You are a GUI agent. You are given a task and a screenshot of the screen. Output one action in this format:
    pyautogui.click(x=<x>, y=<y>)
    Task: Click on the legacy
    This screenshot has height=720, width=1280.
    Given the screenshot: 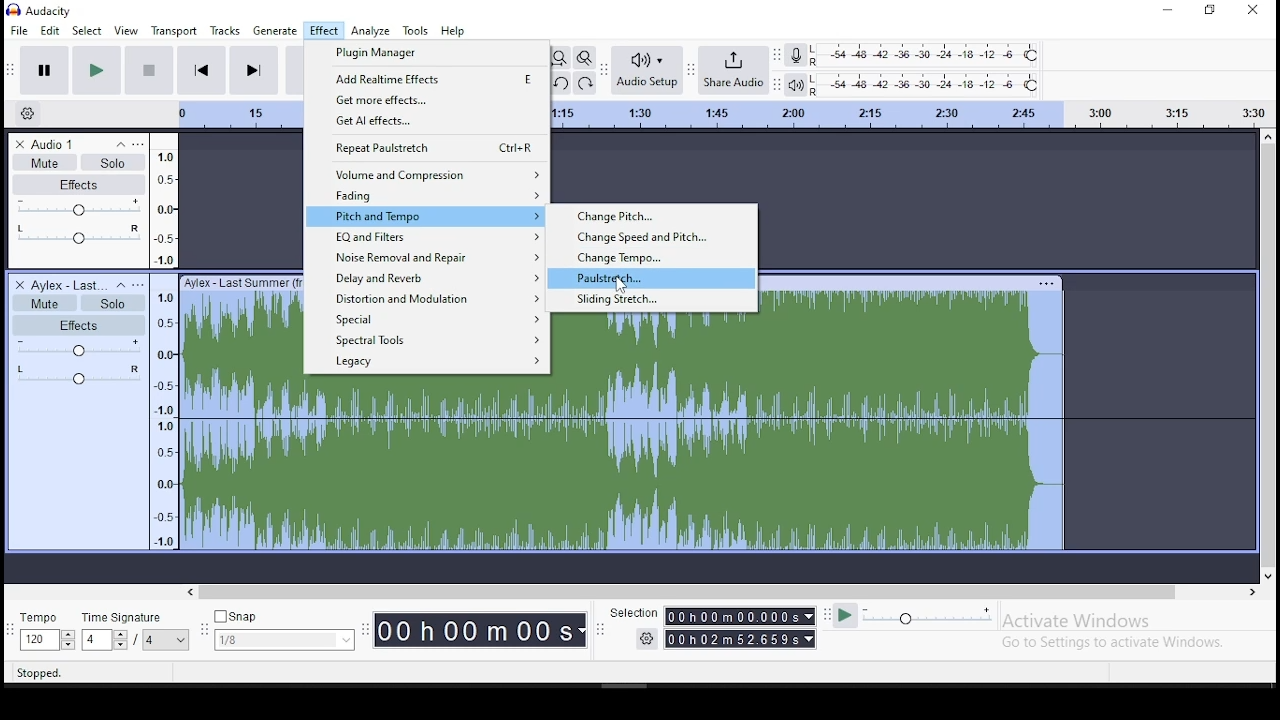 What is the action you would take?
    pyautogui.click(x=424, y=363)
    